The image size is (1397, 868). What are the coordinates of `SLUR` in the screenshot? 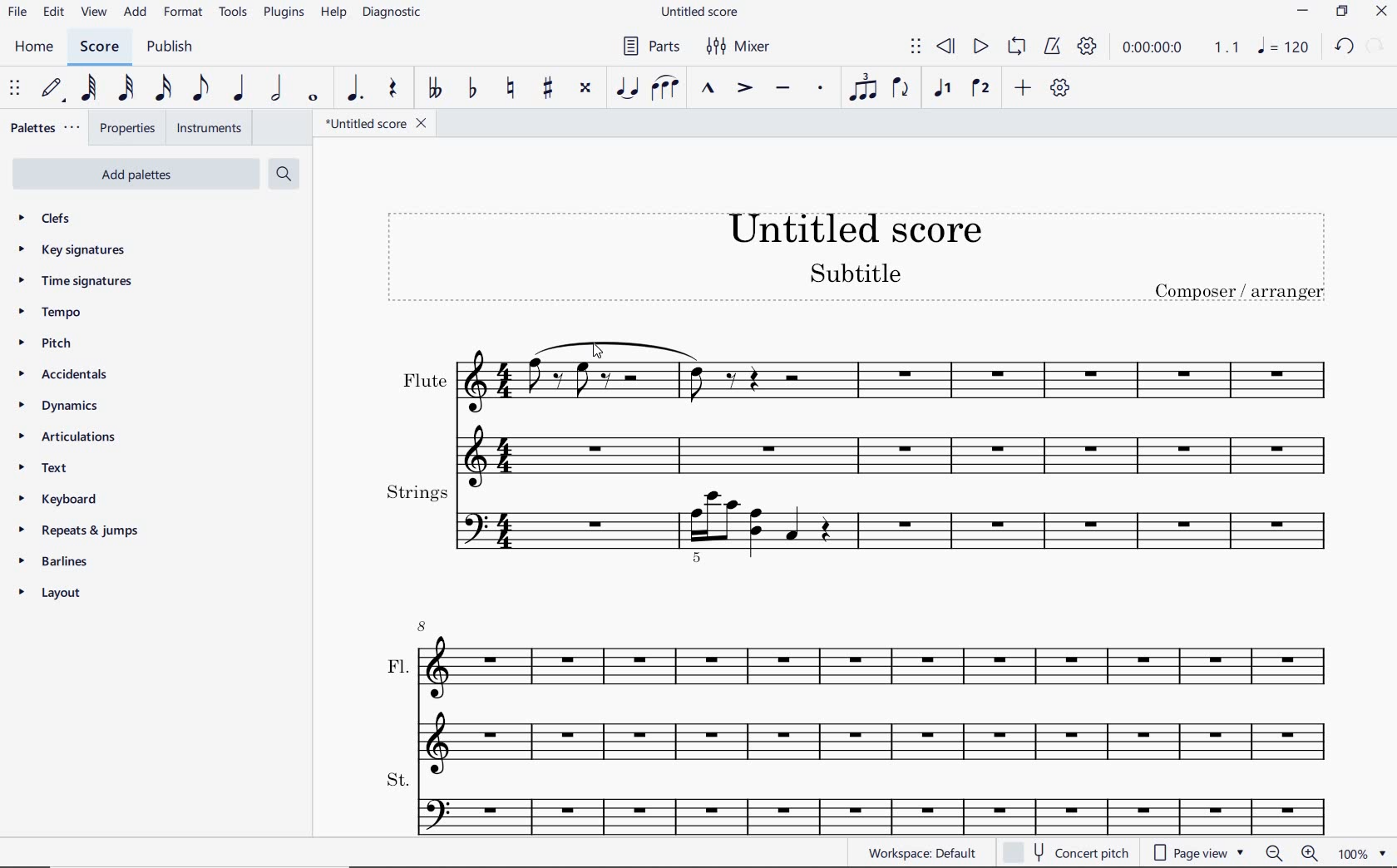 It's located at (663, 89).